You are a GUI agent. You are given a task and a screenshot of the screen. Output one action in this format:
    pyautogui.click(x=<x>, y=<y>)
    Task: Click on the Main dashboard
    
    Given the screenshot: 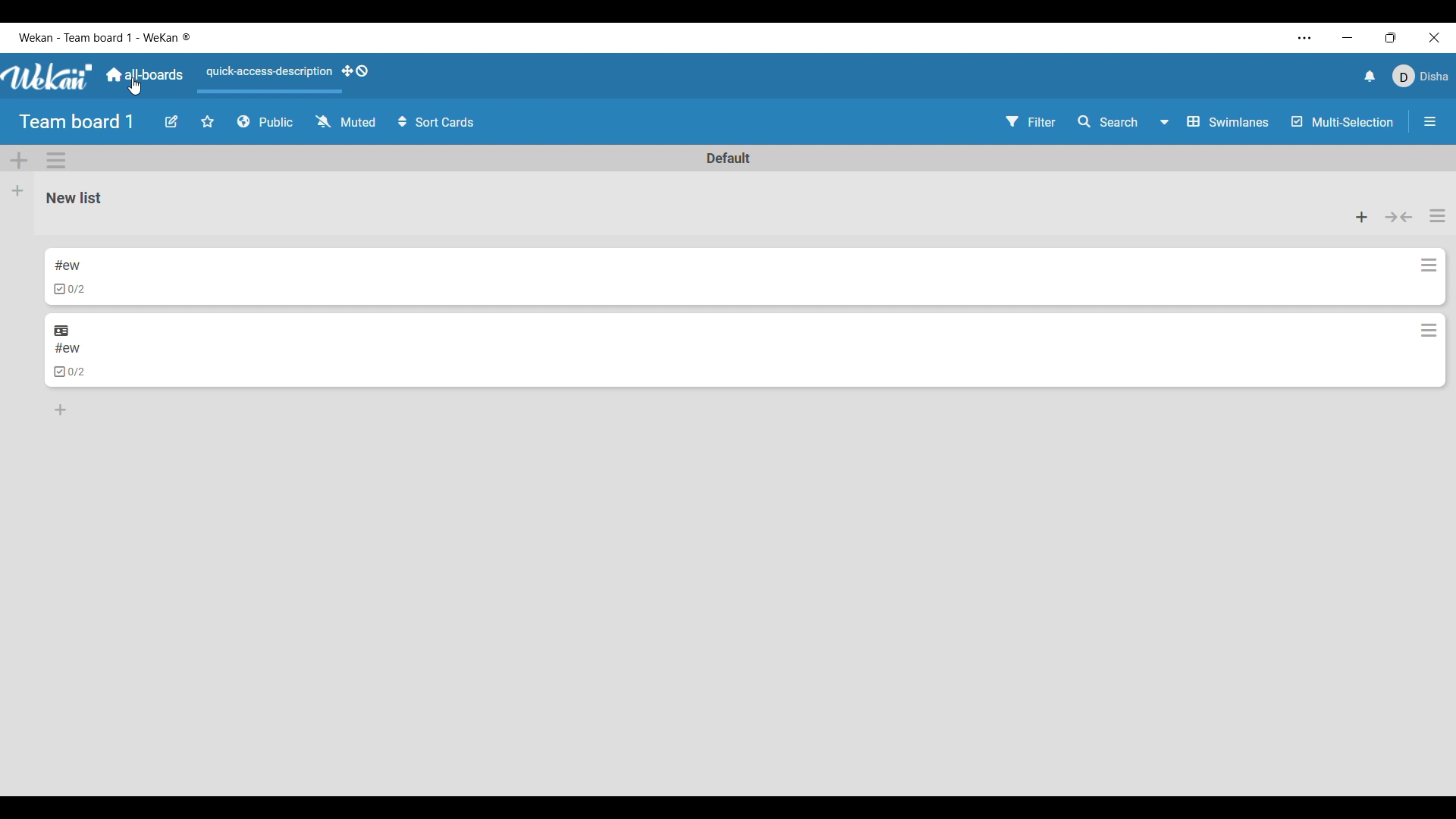 What is the action you would take?
    pyautogui.click(x=145, y=74)
    